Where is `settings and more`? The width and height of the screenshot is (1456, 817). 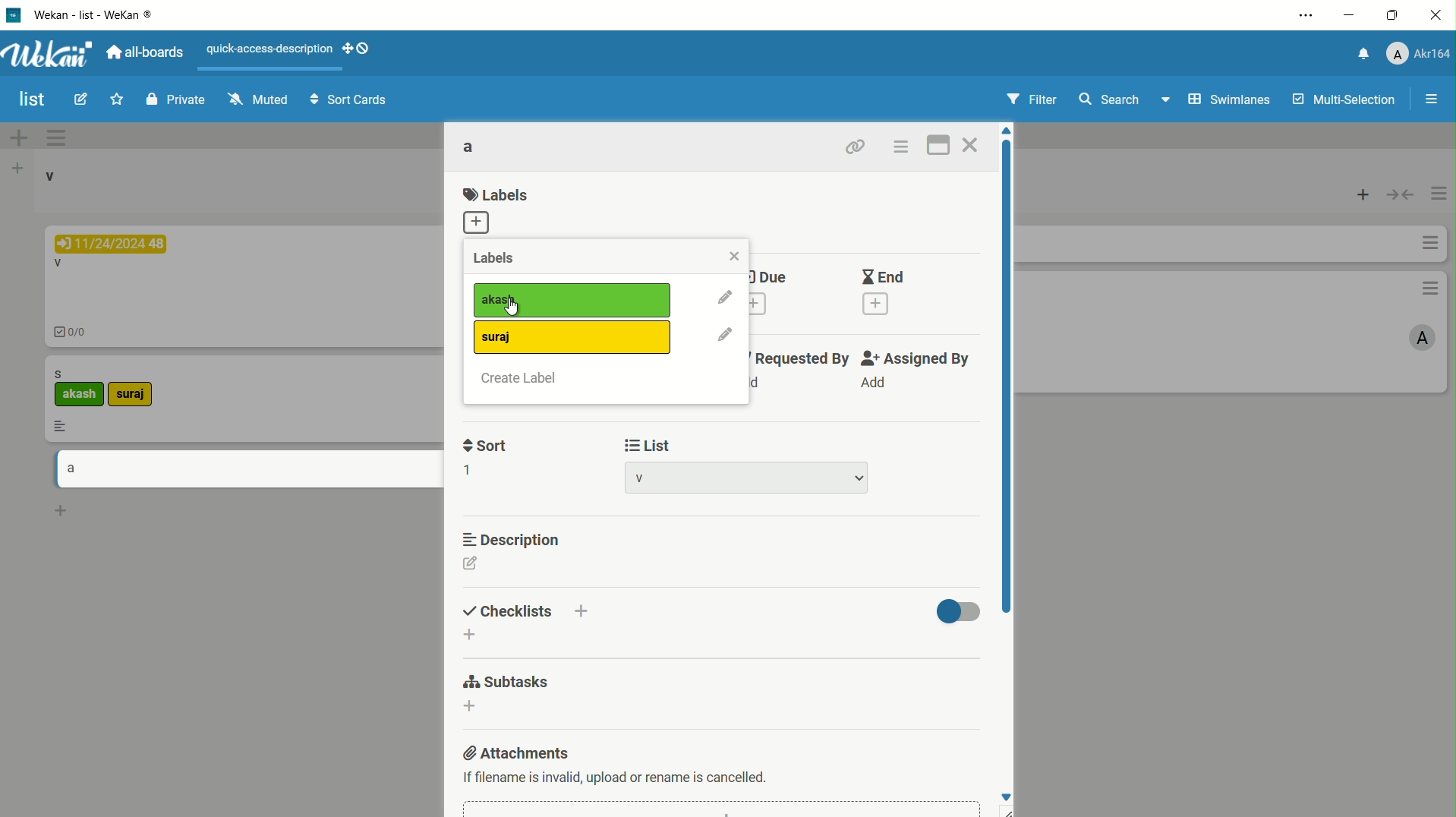
settings and more is located at coordinates (1303, 17).